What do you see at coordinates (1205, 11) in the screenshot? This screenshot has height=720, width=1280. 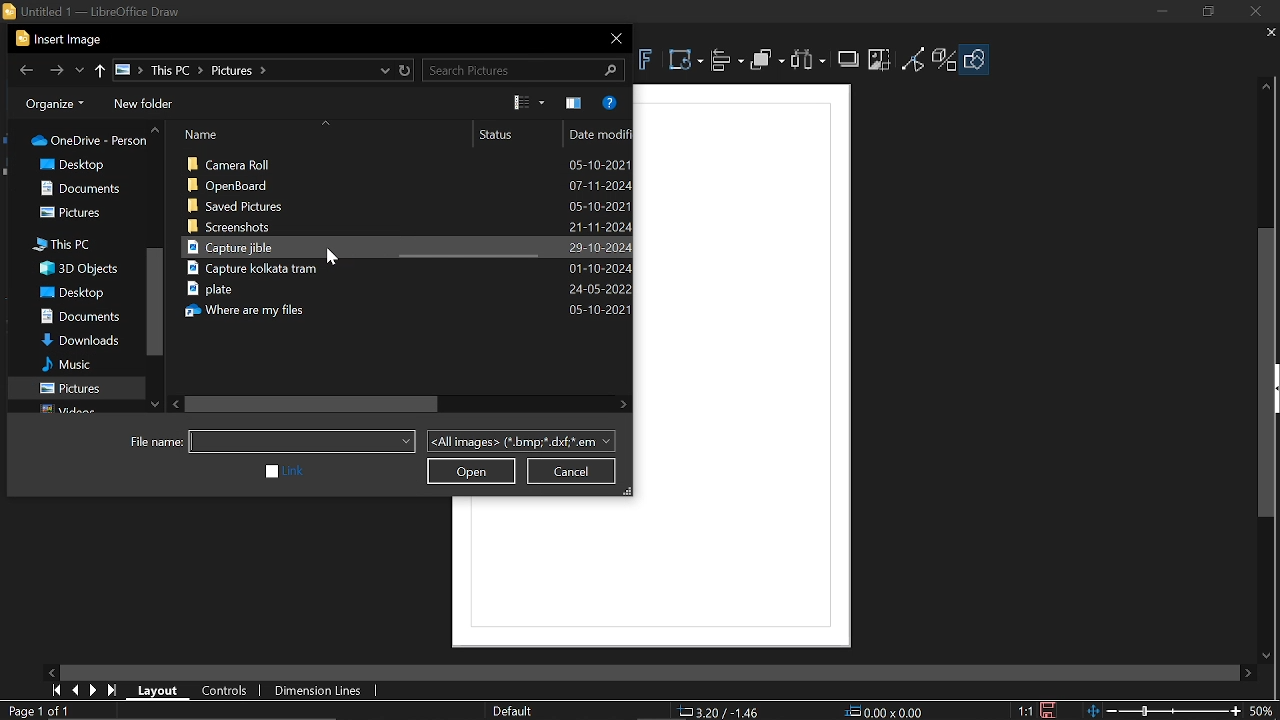 I see `Restore down` at bounding box center [1205, 11].